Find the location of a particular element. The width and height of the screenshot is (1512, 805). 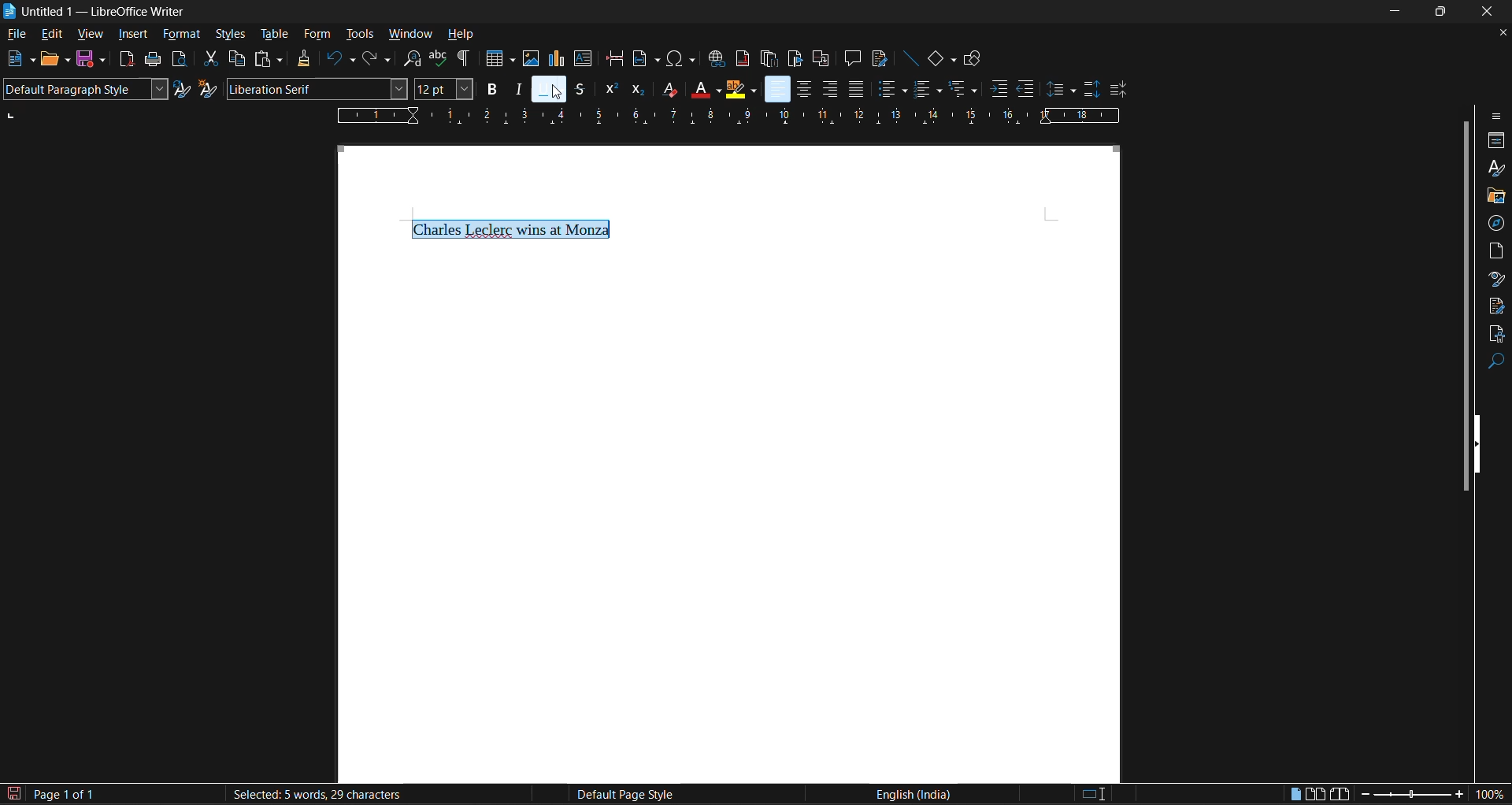

insert chart is located at coordinates (555, 58).